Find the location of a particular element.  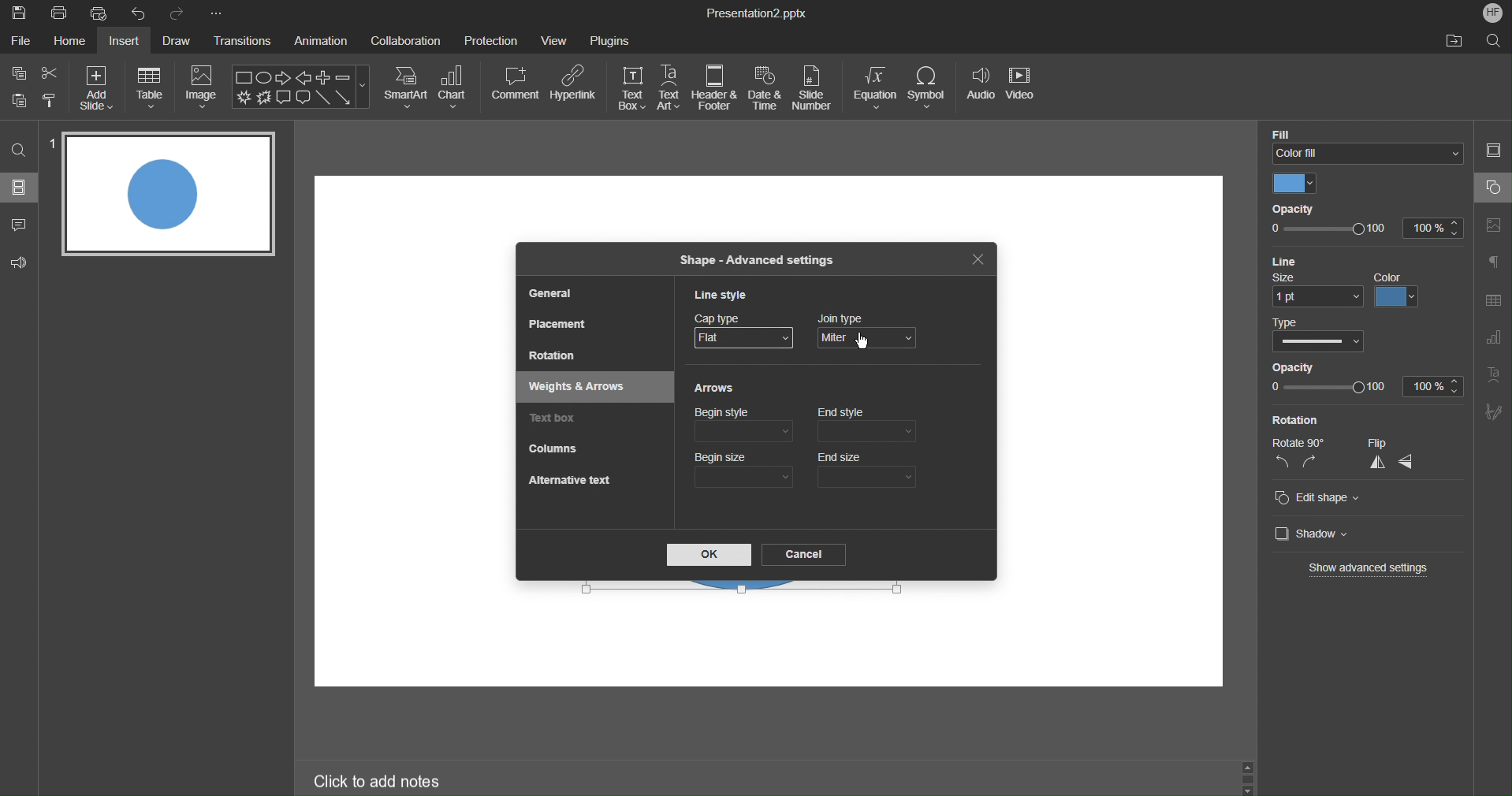

Slide Settings is located at coordinates (1493, 153).